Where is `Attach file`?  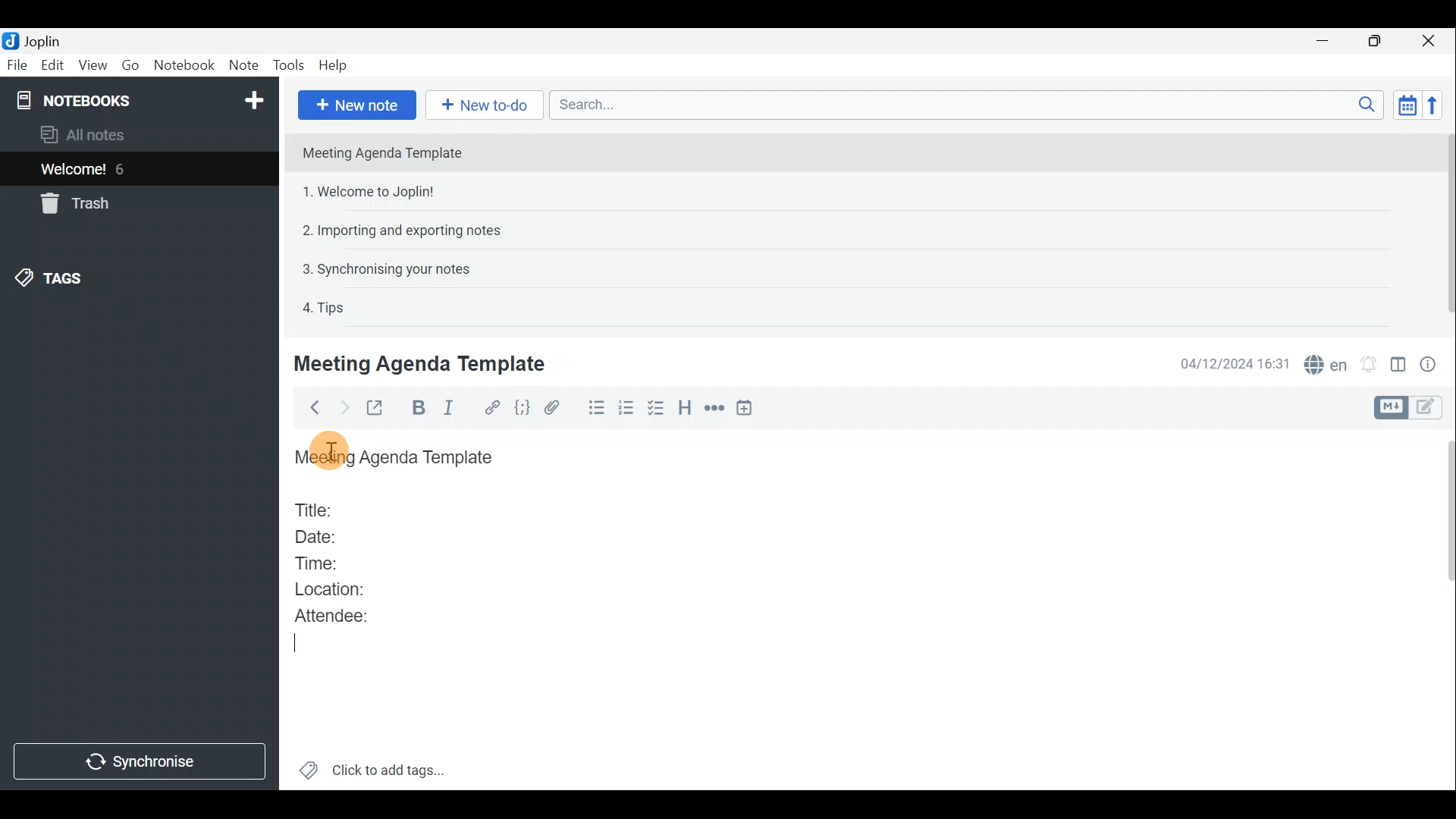 Attach file is located at coordinates (559, 408).